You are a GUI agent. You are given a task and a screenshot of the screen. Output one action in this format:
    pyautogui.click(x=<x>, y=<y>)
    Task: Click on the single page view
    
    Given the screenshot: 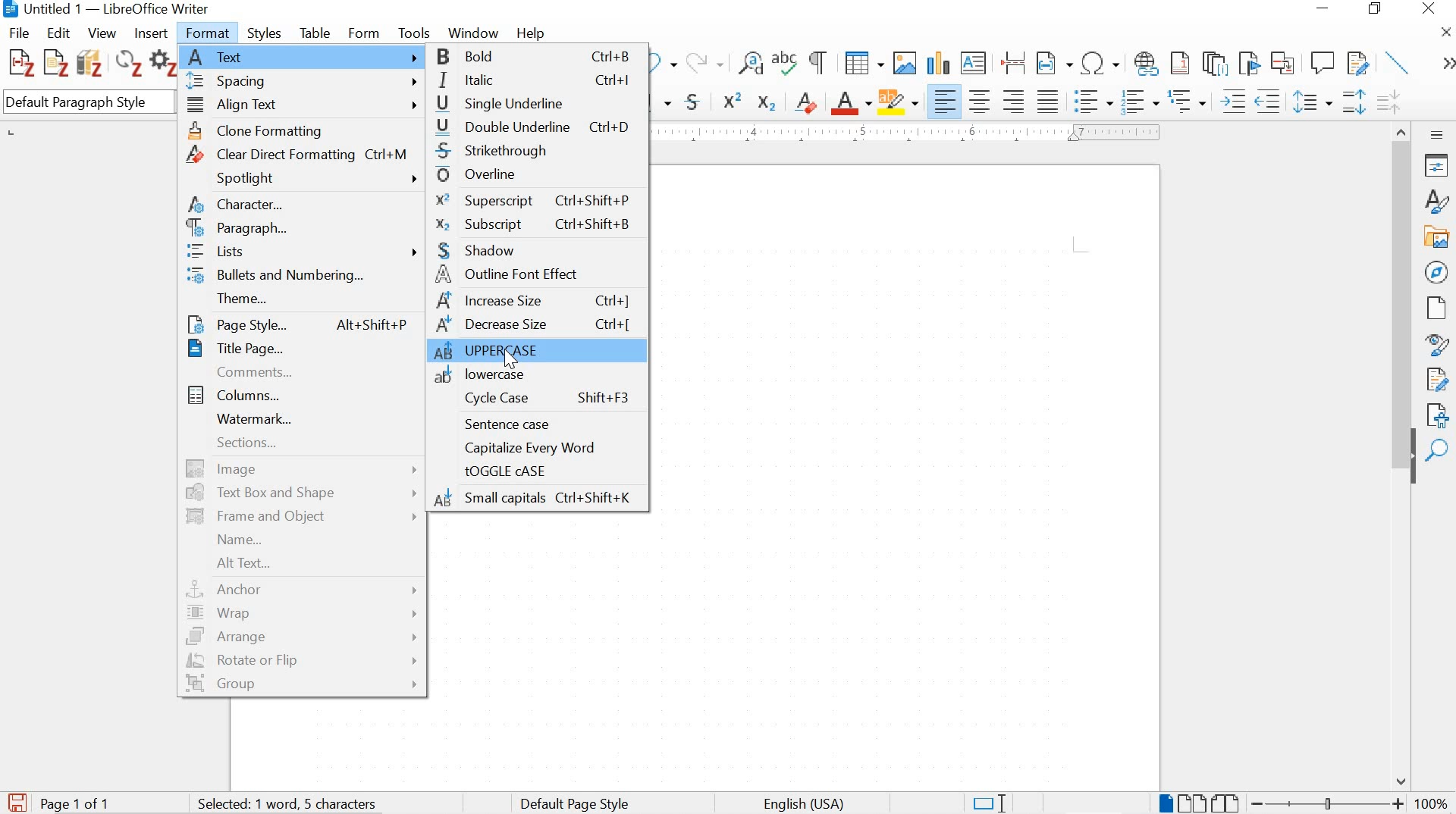 What is the action you would take?
    pyautogui.click(x=1164, y=803)
    